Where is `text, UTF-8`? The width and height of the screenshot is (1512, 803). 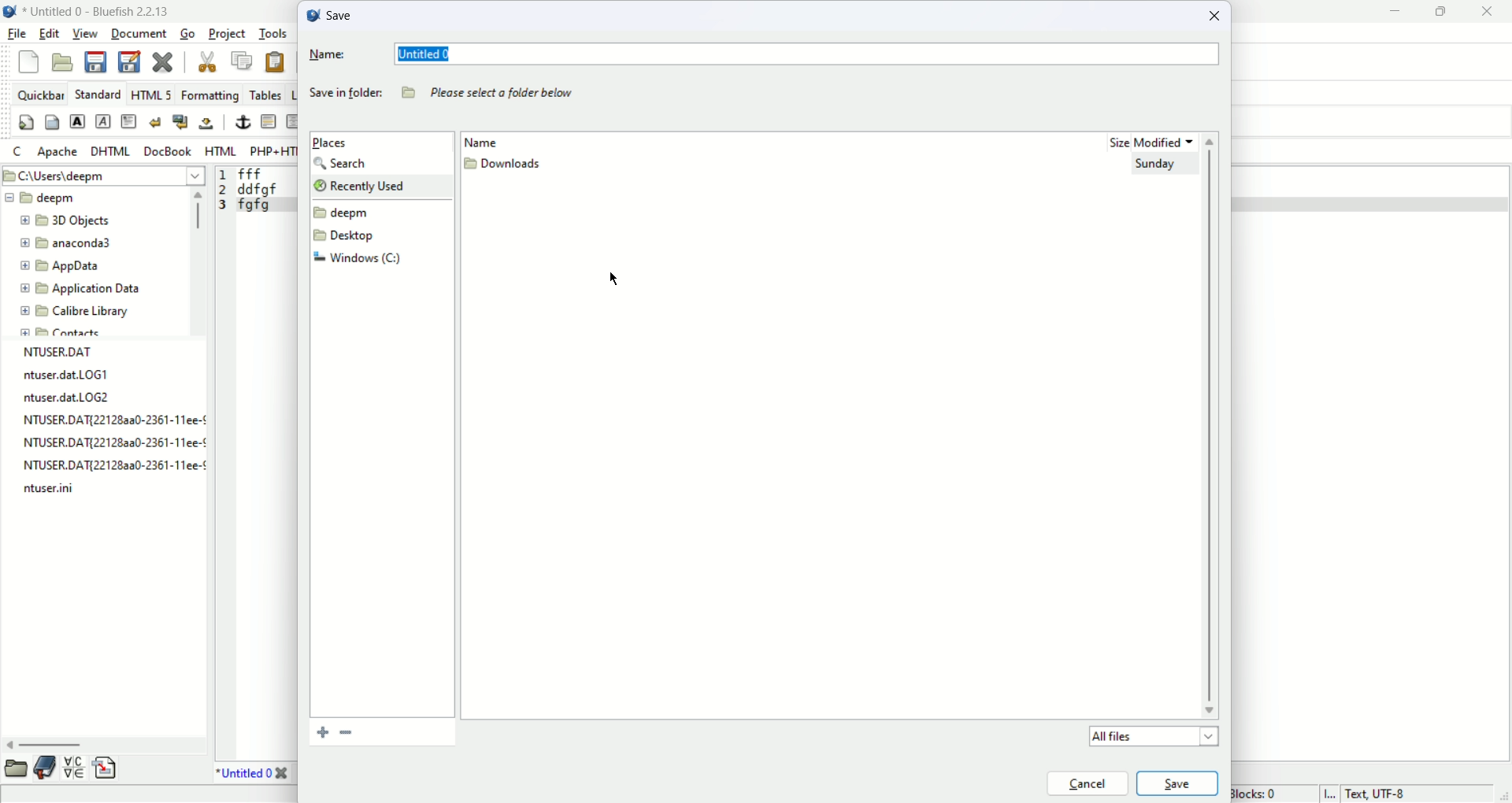
text, UTF-8 is located at coordinates (1360, 794).